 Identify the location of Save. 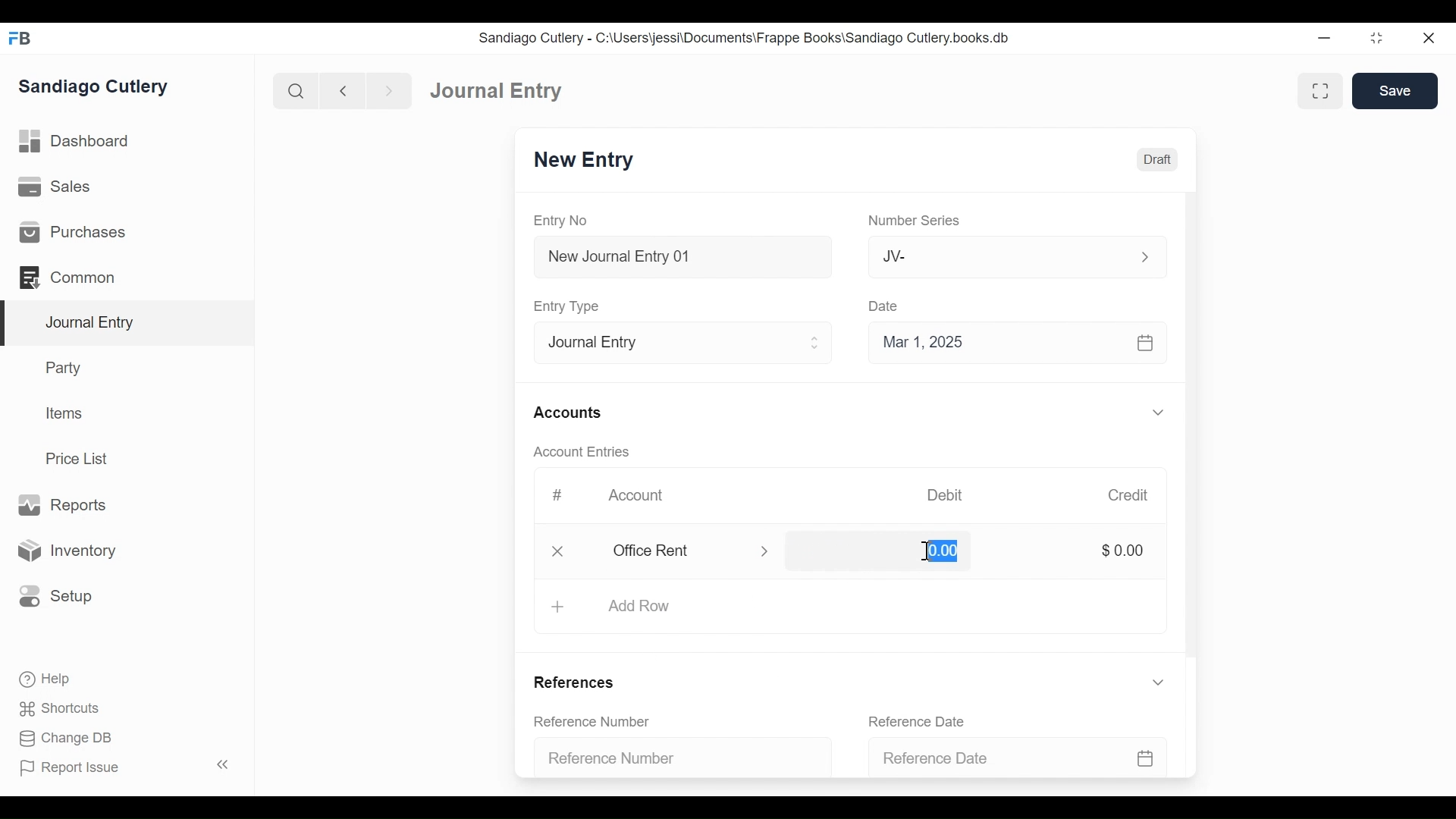
(1395, 90).